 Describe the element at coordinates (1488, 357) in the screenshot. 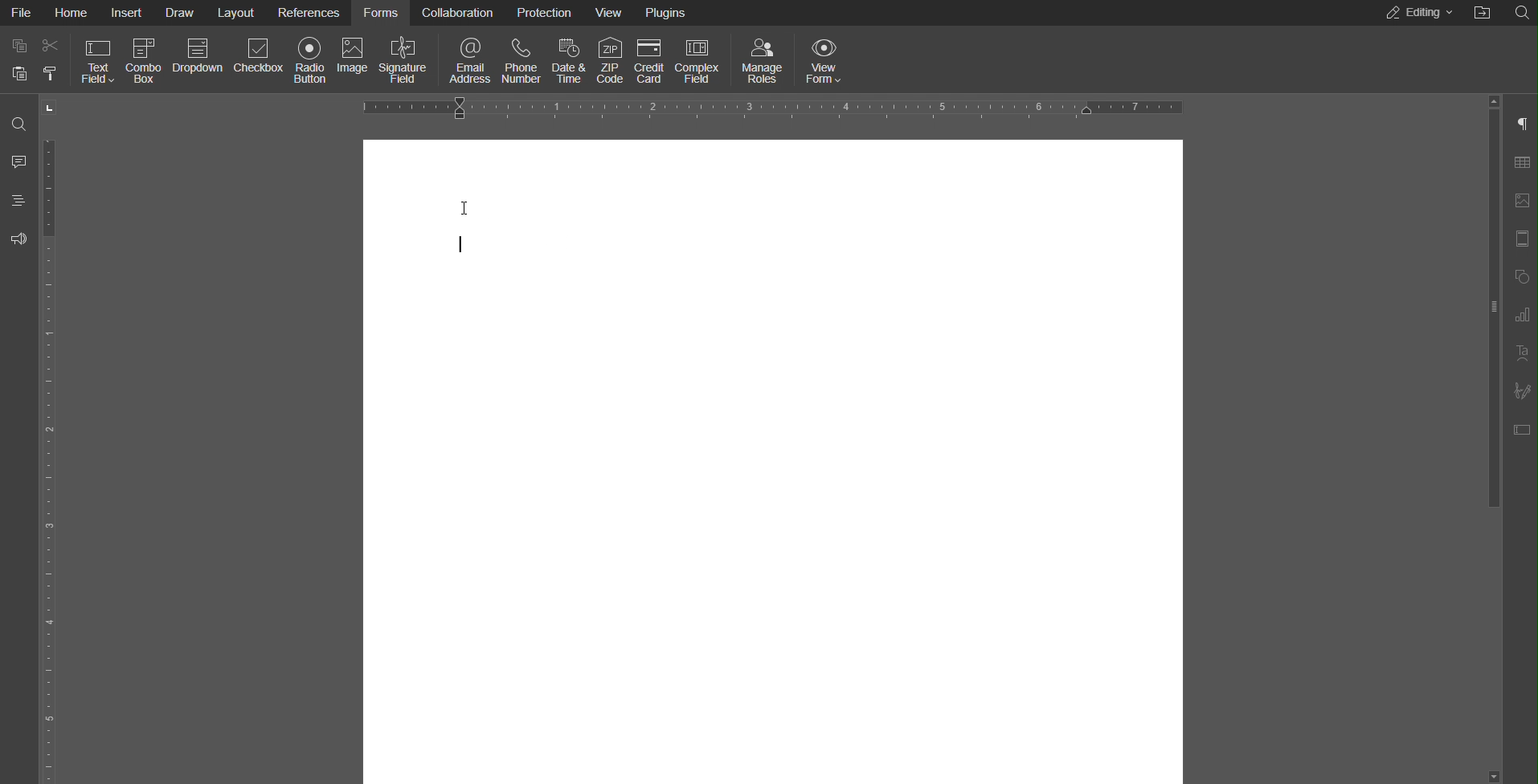

I see `slider` at that location.